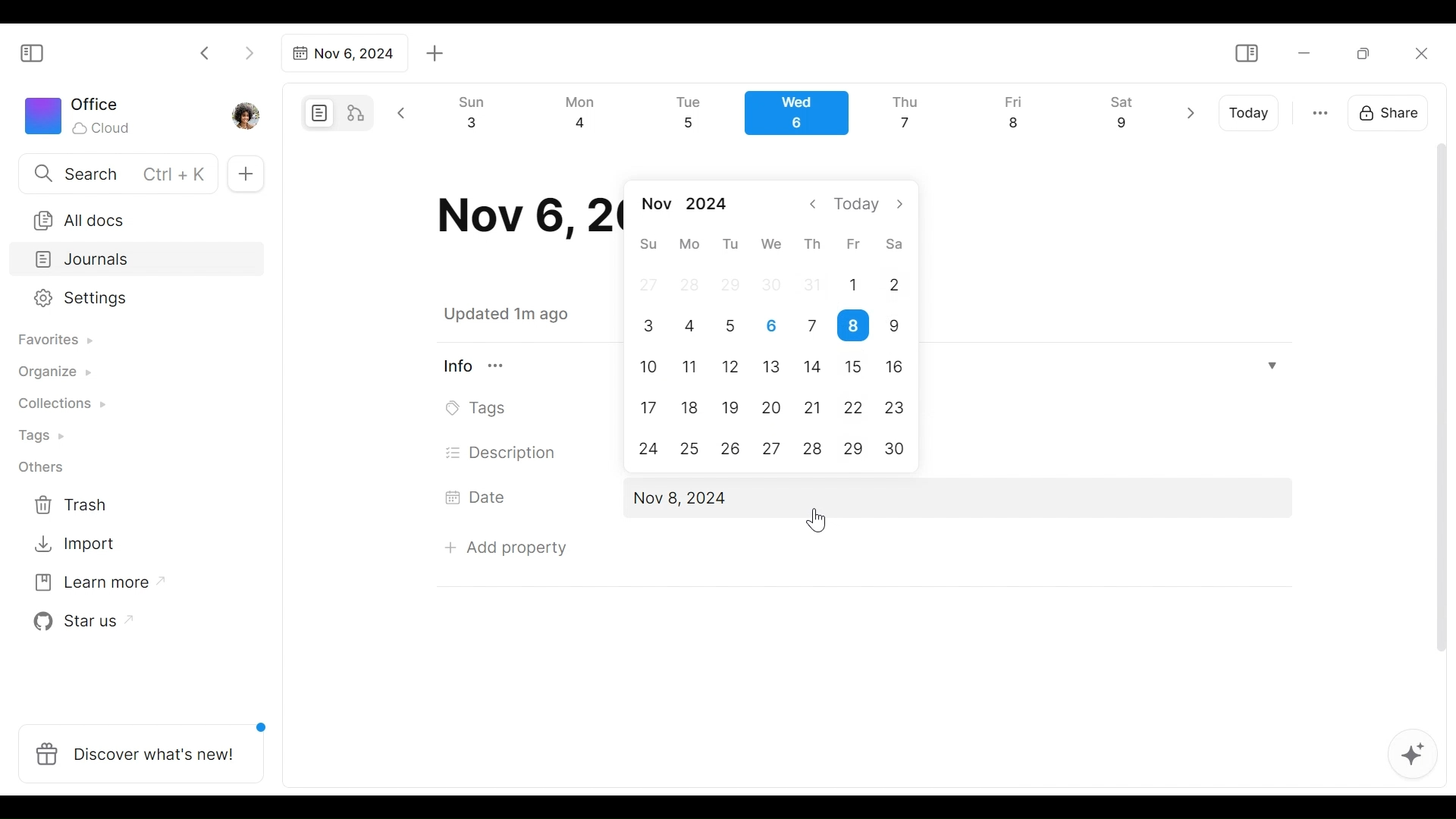  Describe the element at coordinates (1304, 52) in the screenshot. I see `Minimize` at that location.